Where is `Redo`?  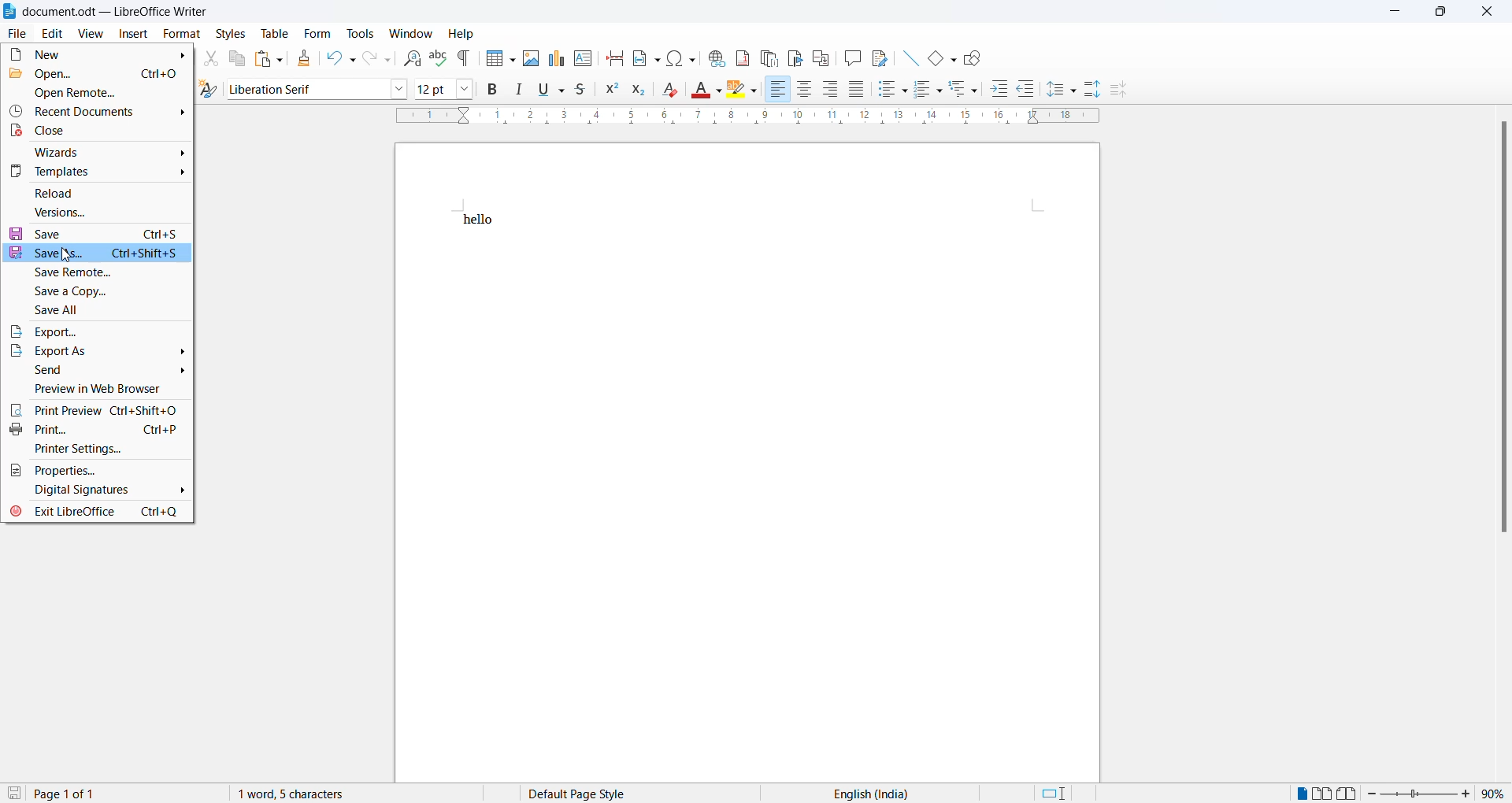
Redo is located at coordinates (375, 59).